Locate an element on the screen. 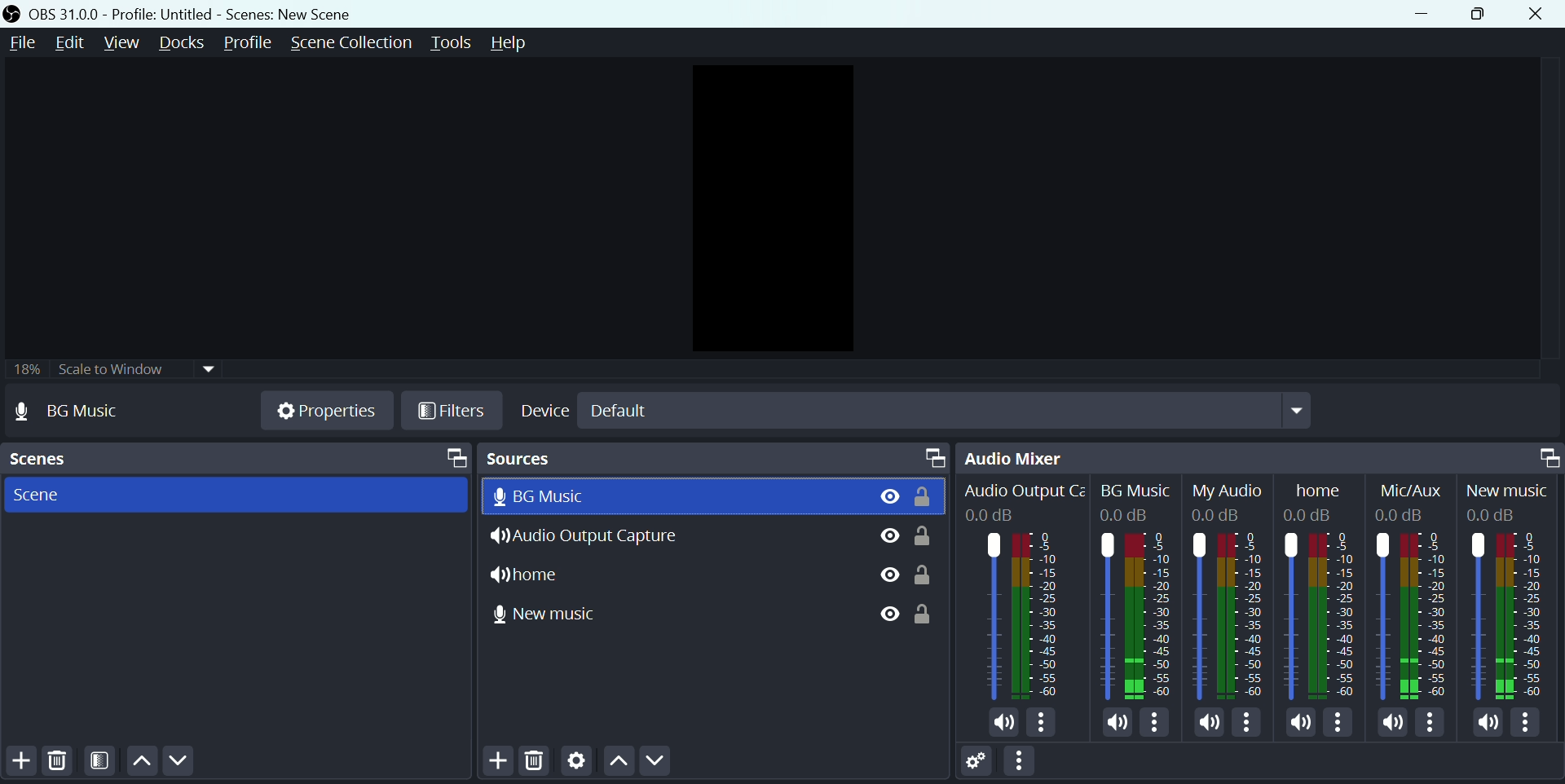 The image size is (1565, 784). Audio mixer is located at coordinates (1031, 455).